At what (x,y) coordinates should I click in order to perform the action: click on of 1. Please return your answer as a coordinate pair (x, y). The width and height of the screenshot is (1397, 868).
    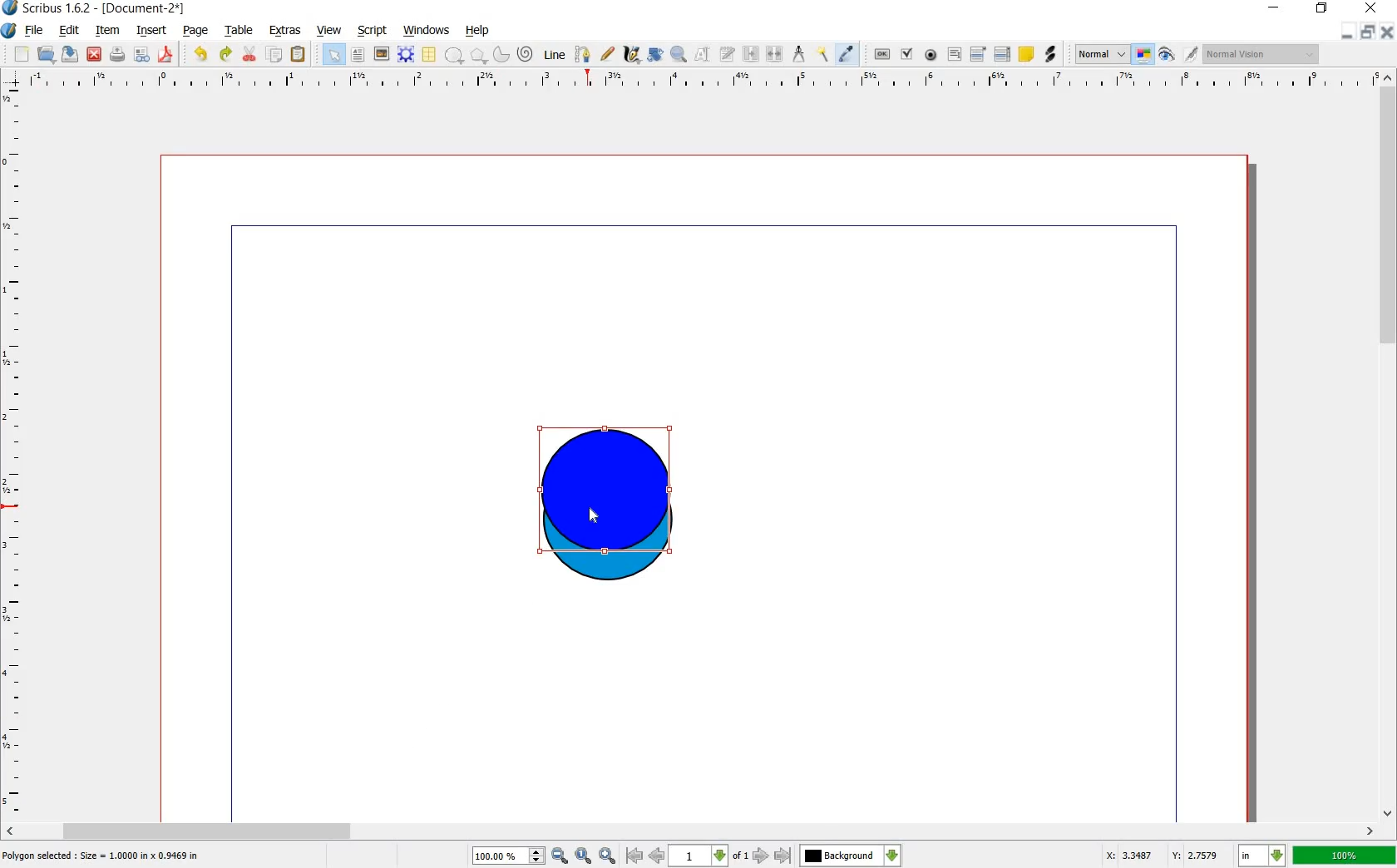
    Looking at the image, I should click on (740, 856).